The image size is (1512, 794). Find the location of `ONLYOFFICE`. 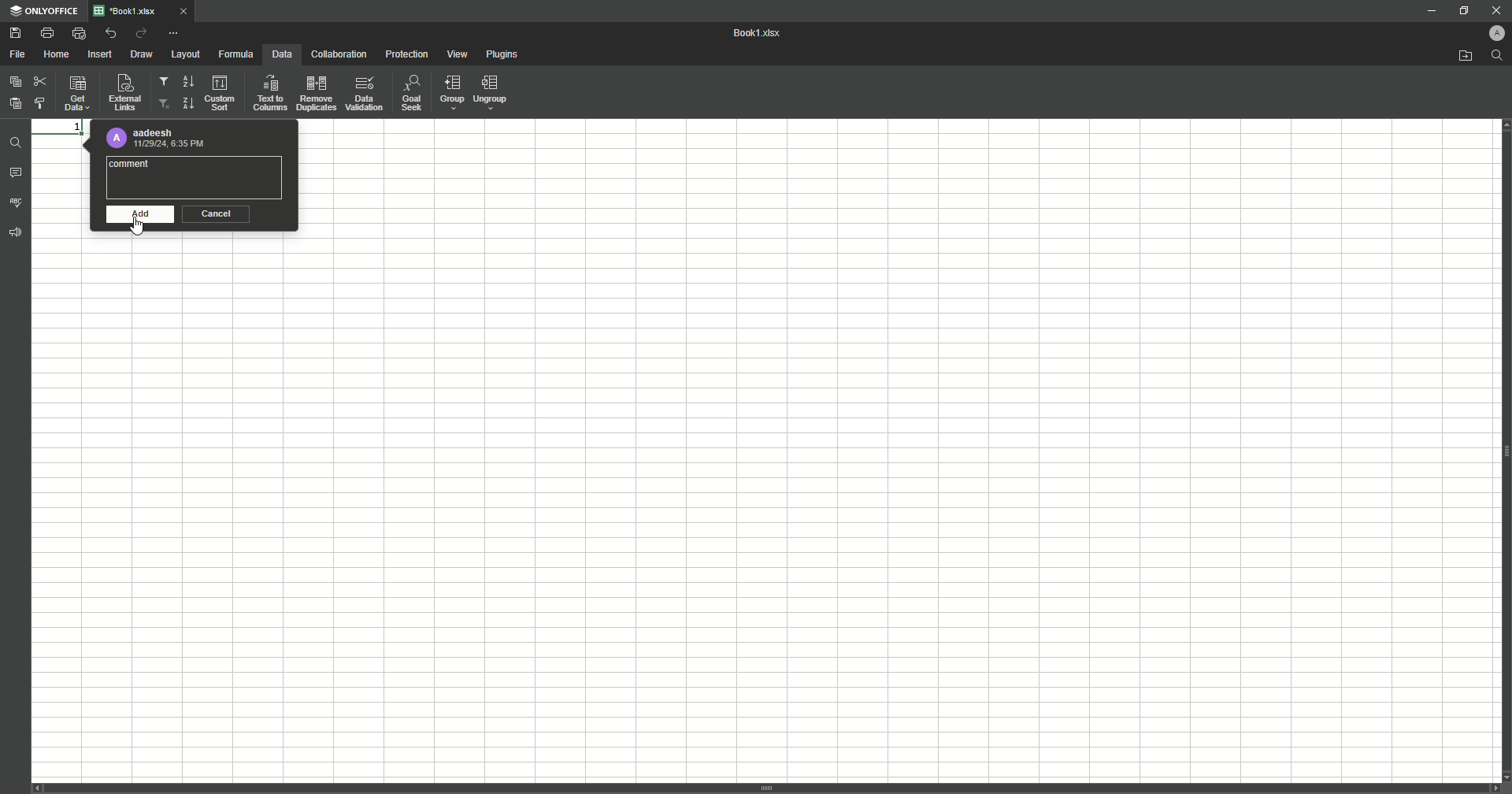

ONLYOFFICE is located at coordinates (45, 11).